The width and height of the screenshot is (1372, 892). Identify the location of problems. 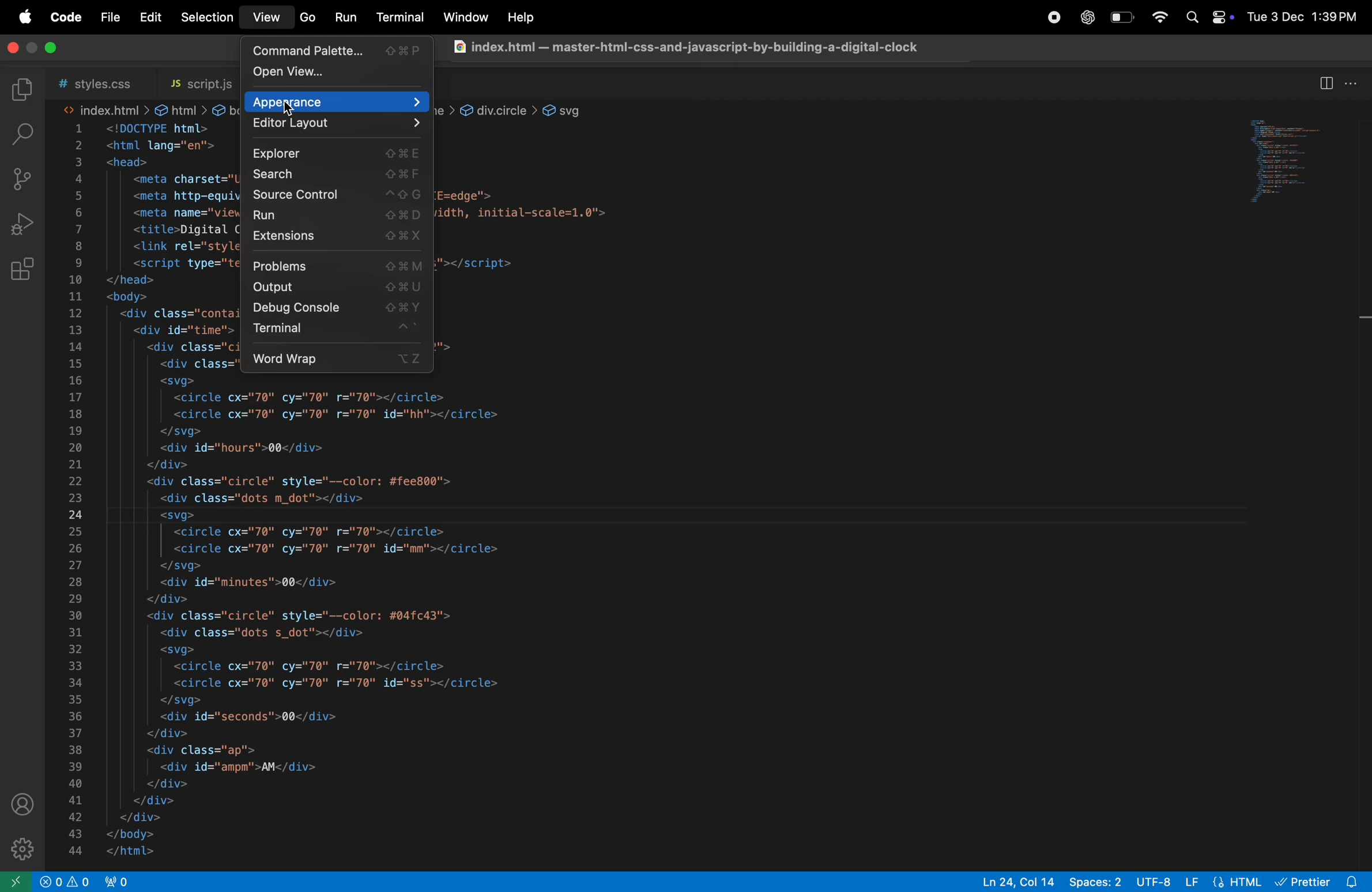
(334, 266).